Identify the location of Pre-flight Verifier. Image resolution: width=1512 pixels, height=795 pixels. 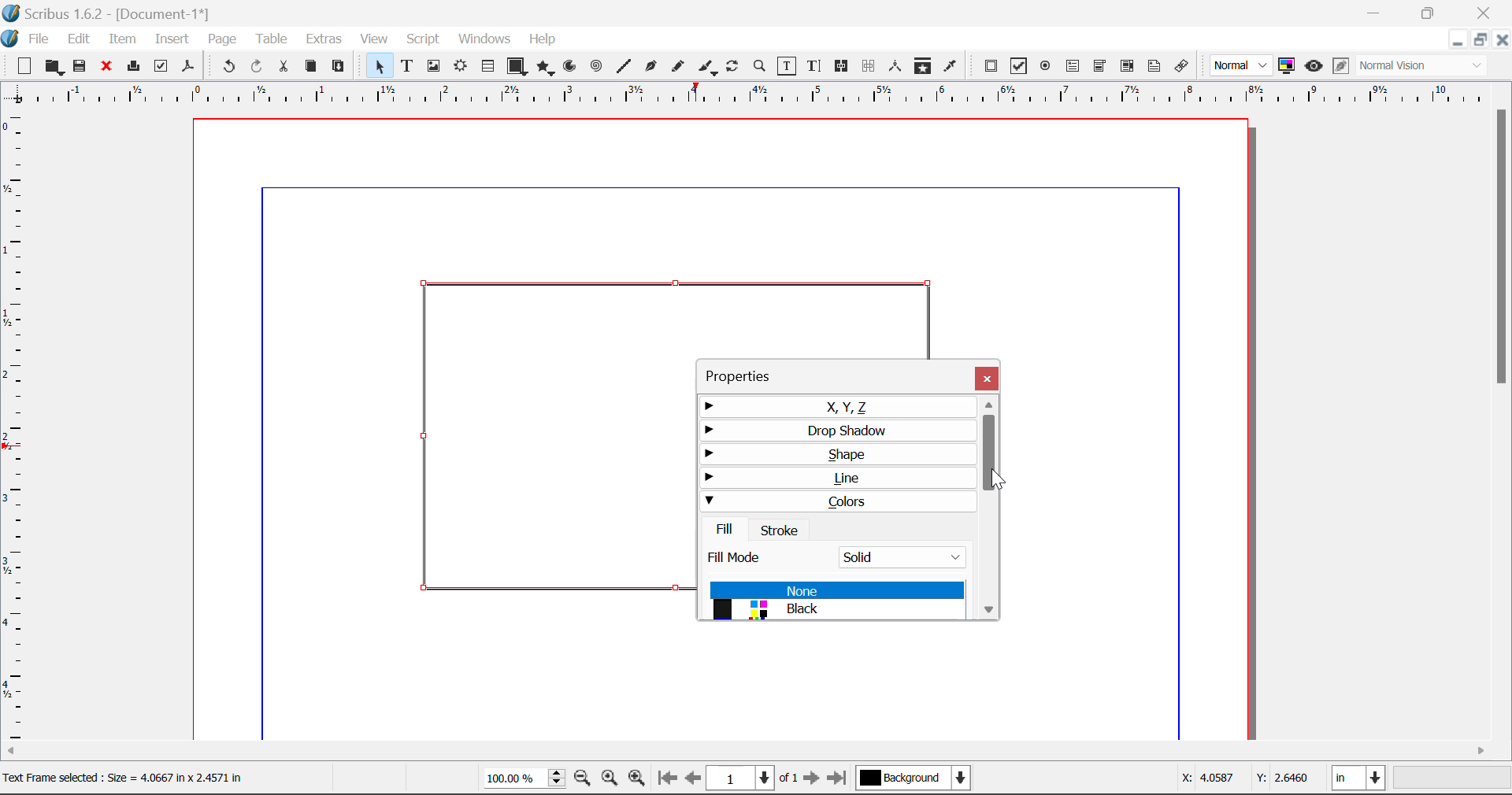
(161, 66).